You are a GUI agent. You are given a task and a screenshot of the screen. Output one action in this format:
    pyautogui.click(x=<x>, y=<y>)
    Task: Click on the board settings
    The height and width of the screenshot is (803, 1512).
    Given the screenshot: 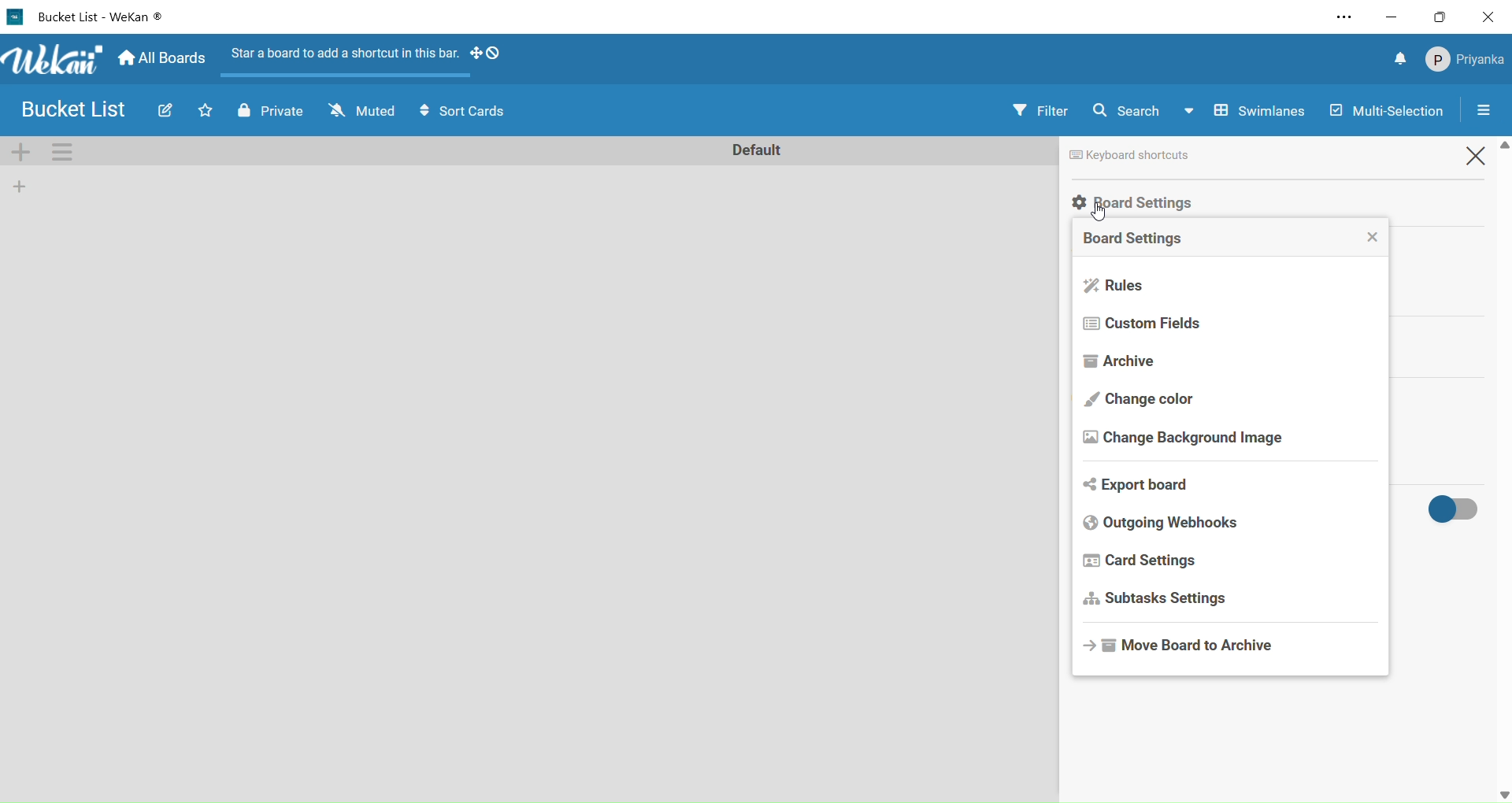 What is the action you would take?
    pyautogui.click(x=1232, y=236)
    